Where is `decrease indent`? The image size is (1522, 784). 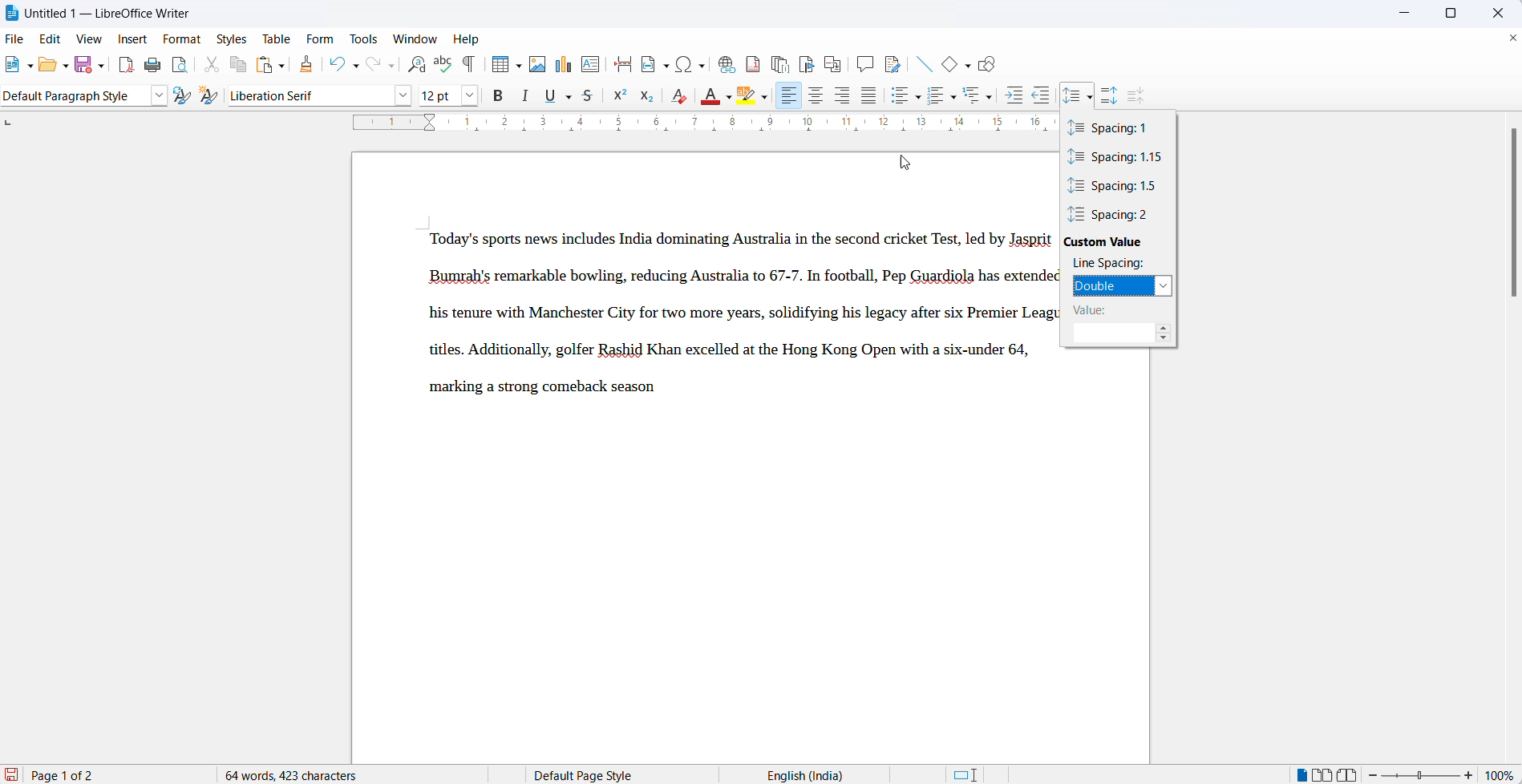
decrease indent is located at coordinates (1045, 96).